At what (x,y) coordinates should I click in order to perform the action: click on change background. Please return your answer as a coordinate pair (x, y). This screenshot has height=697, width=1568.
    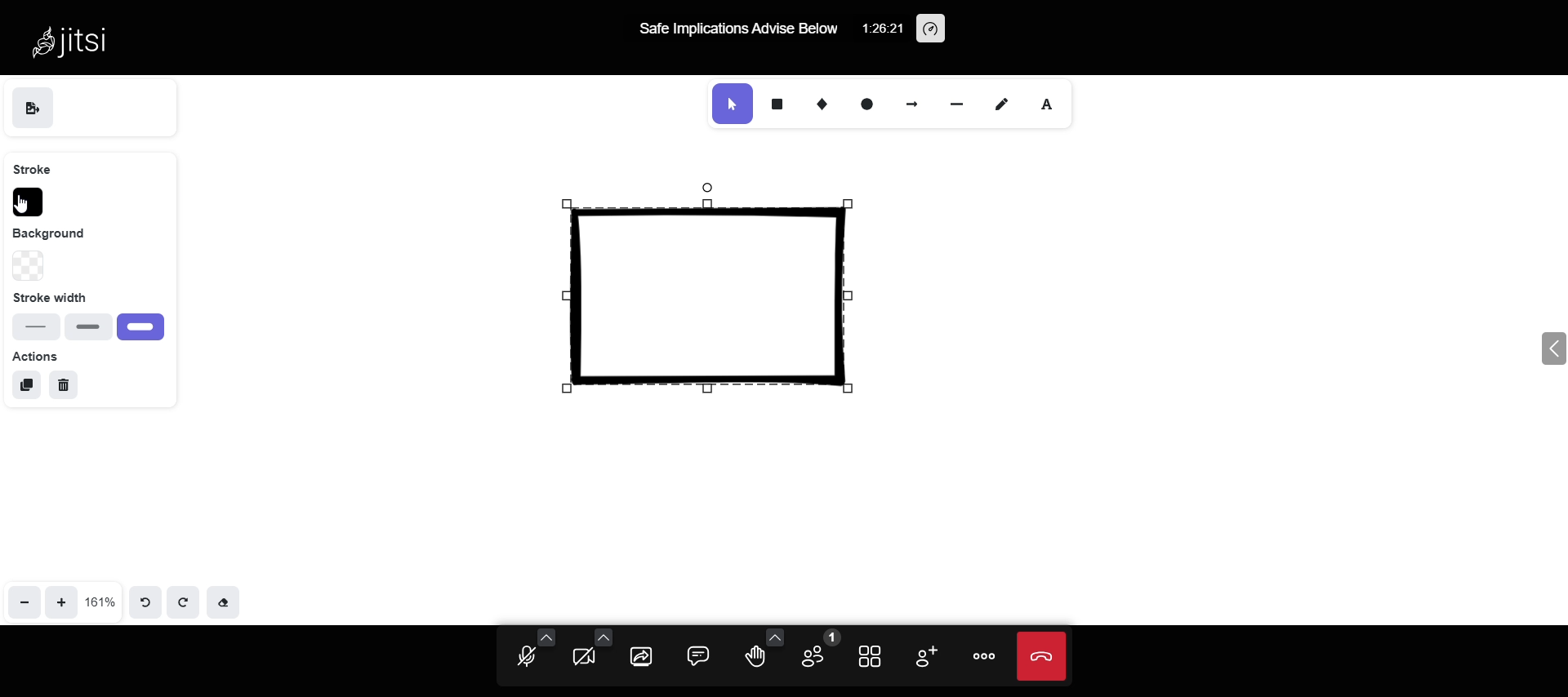
    Looking at the image, I should click on (31, 265).